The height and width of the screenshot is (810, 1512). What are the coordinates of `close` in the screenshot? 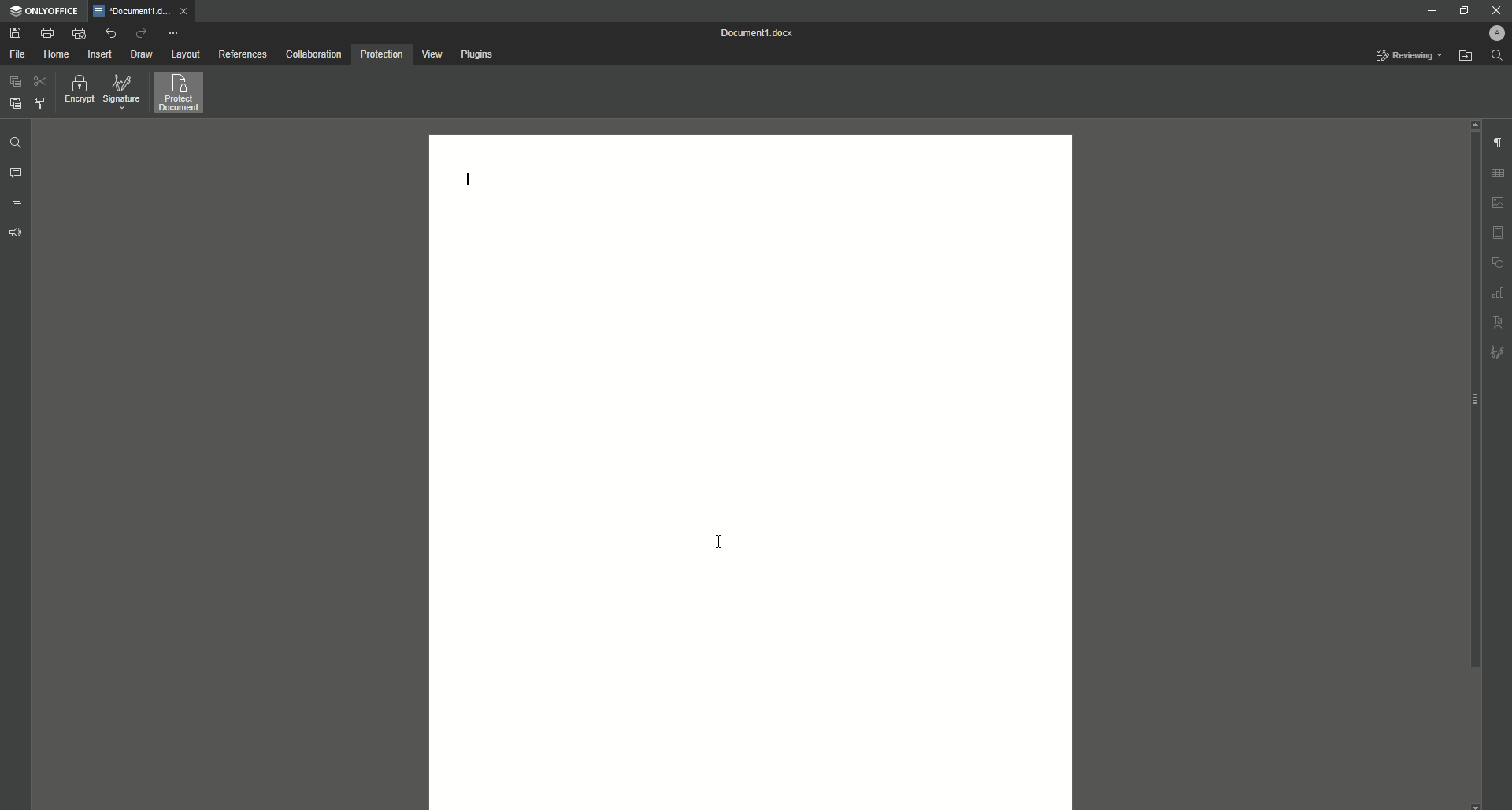 It's located at (183, 11).